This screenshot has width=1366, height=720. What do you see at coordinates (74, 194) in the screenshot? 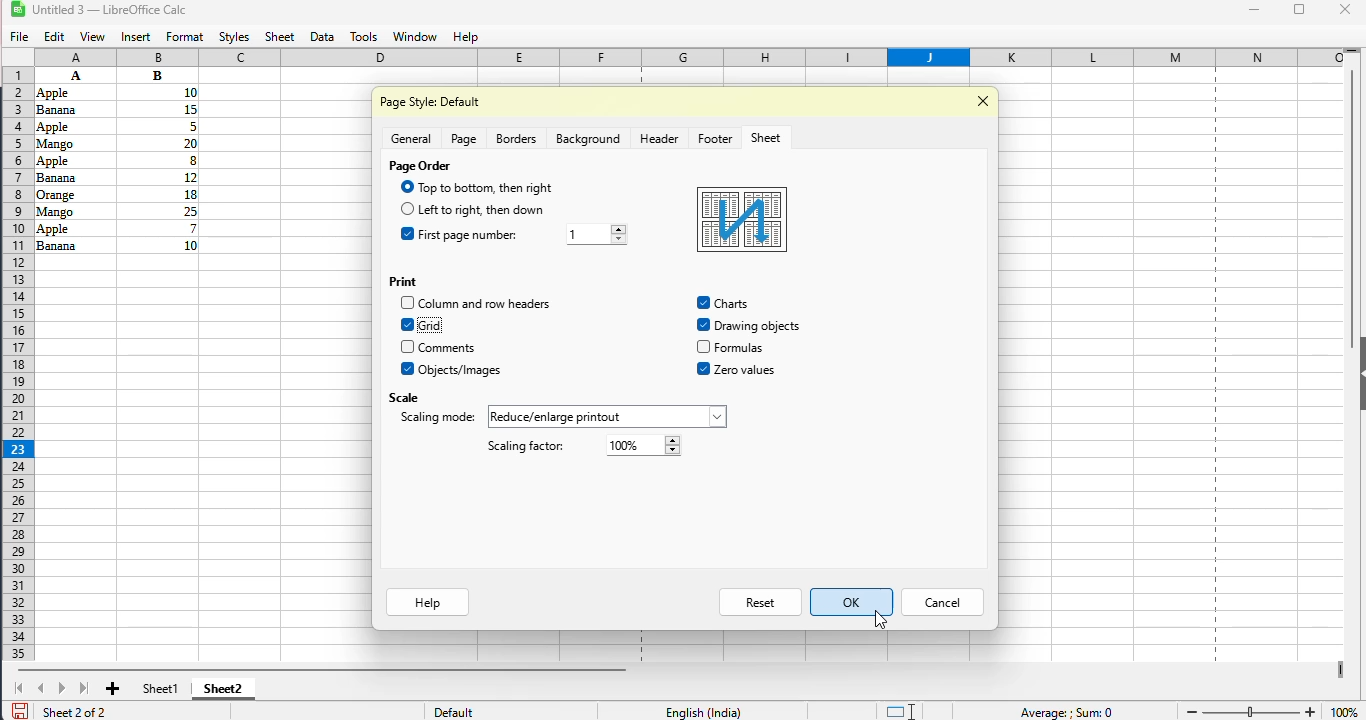
I see `` at bounding box center [74, 194].